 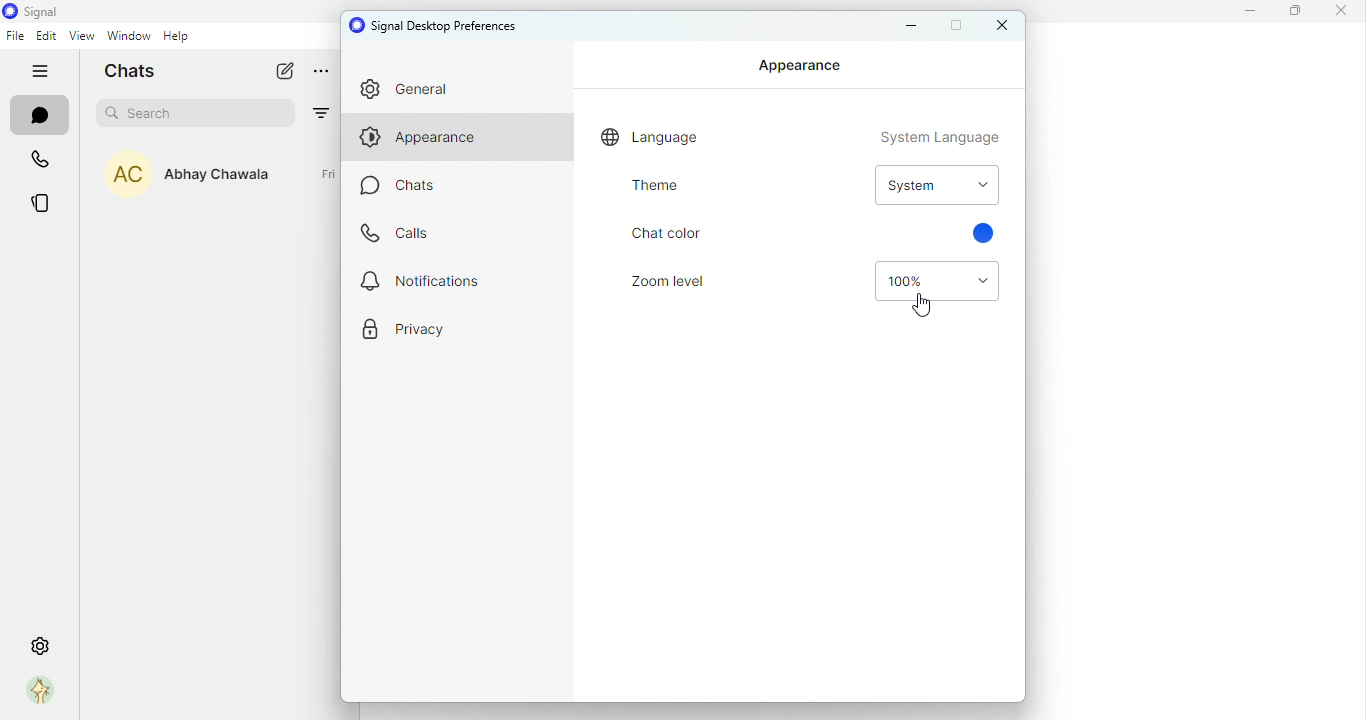 What do you see at coordinates (655, 285) in the screenshot?
I see `Zoom level` at bounding box center [655, 285].